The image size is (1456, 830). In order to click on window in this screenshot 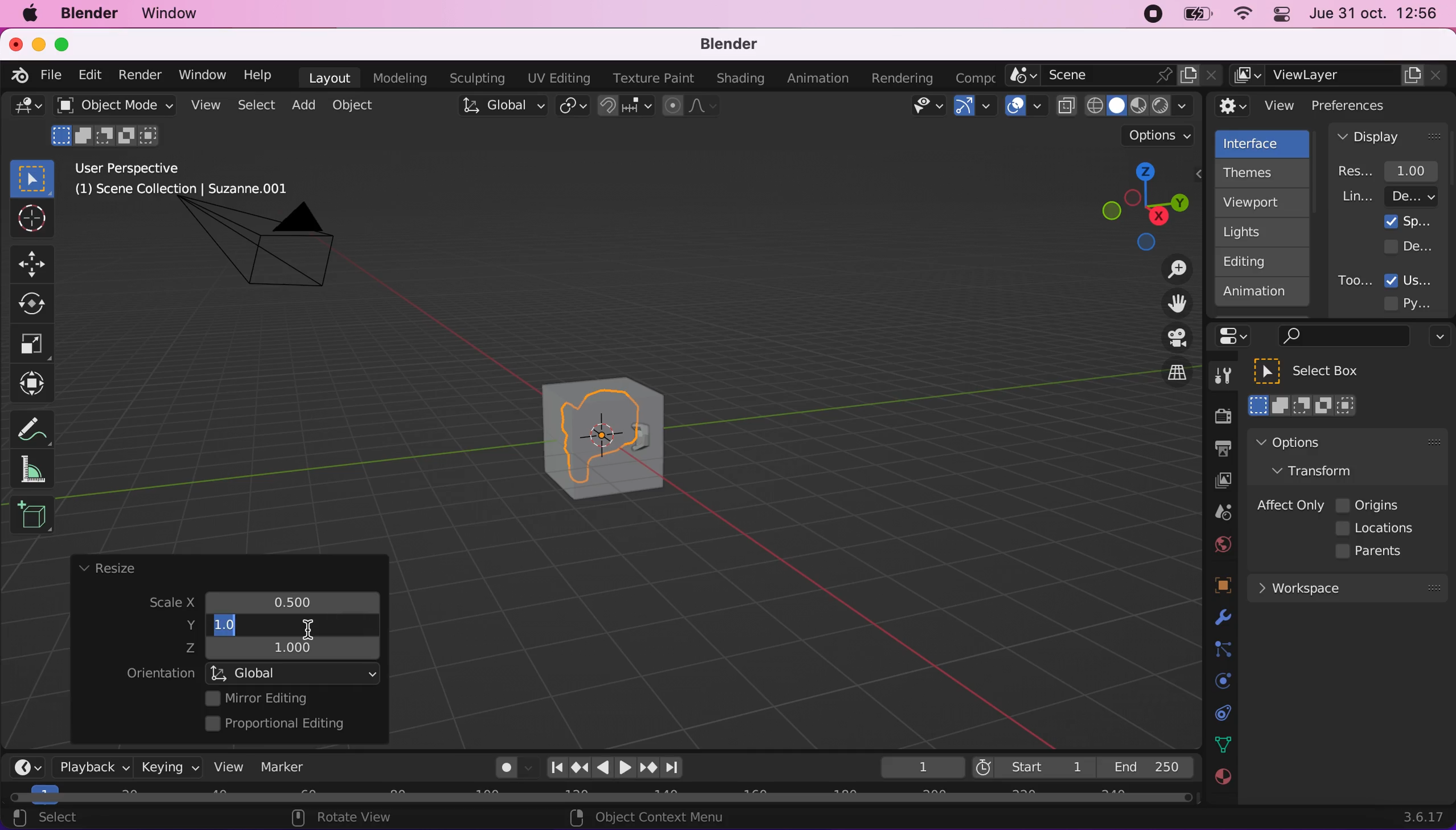, I will do `click(175, 14)`.